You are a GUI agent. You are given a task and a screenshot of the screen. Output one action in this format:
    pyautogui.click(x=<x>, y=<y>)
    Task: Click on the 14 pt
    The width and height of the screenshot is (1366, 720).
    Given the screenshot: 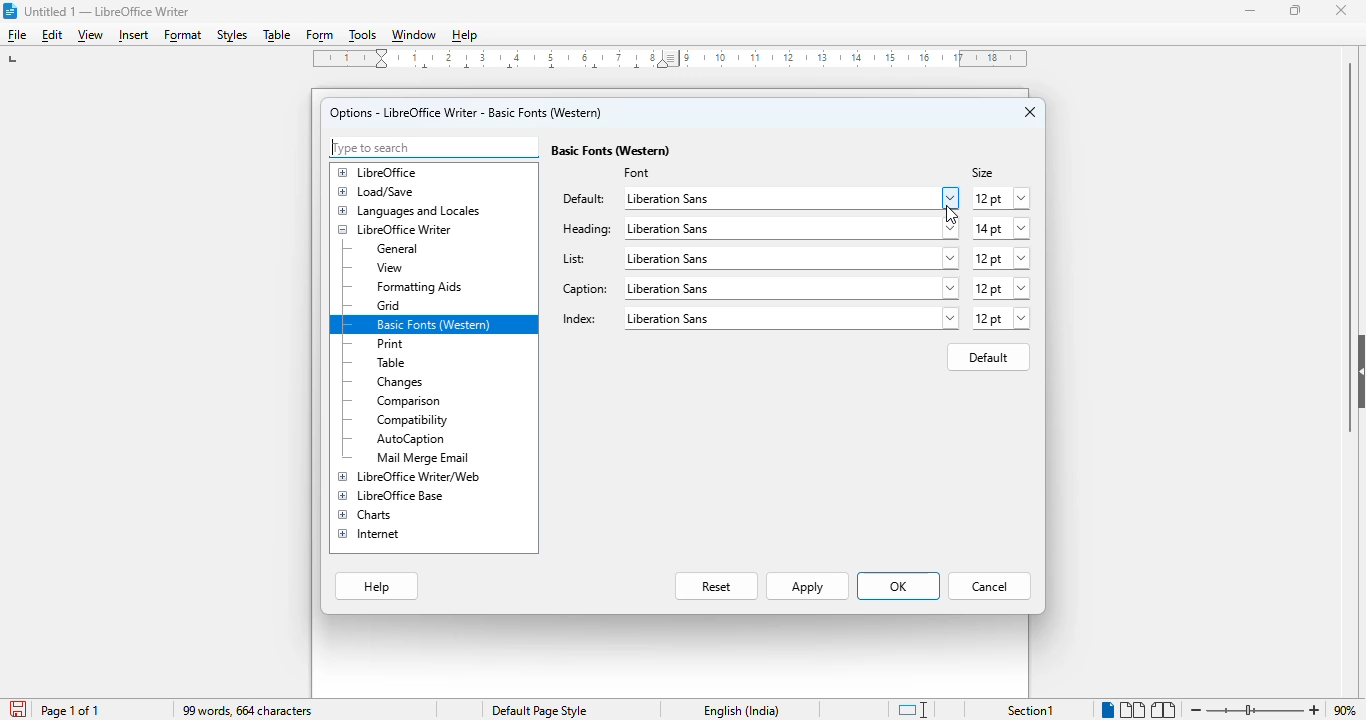 What is the action you would take?
    pyautogui.click(x=1001, y=228)
    